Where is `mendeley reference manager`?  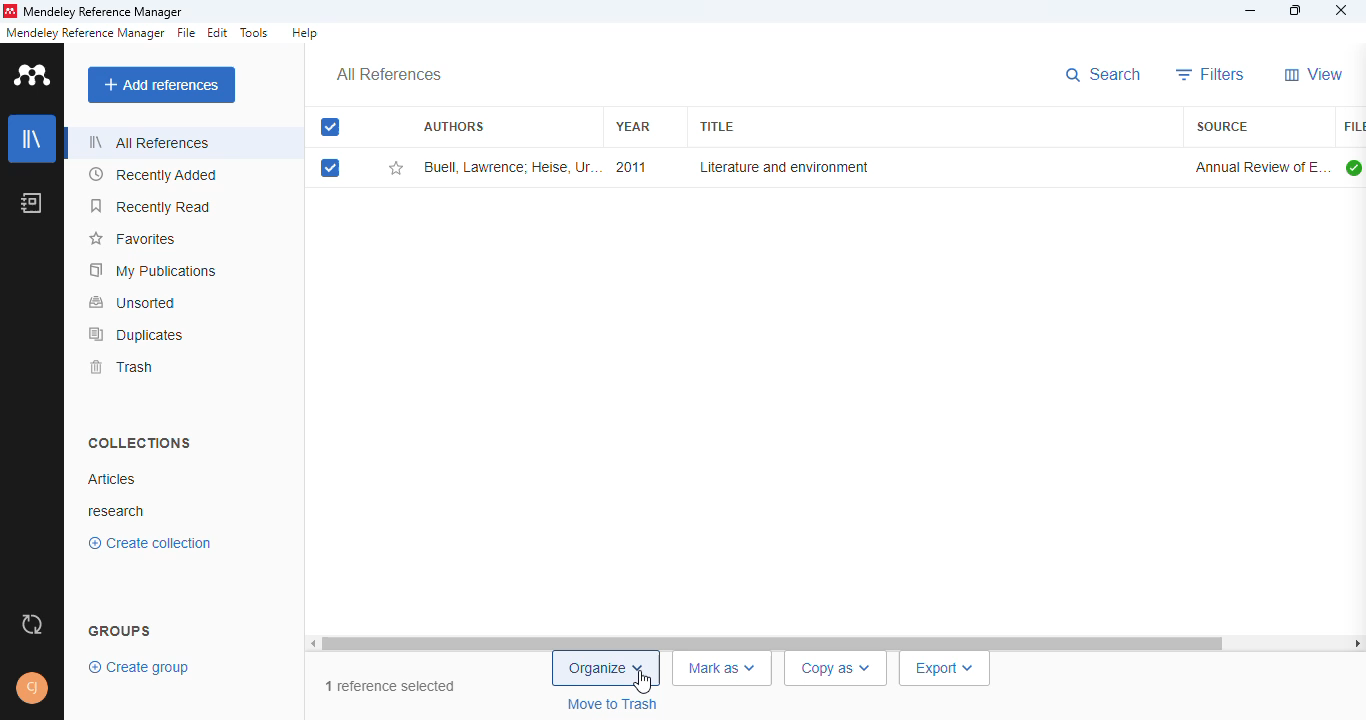 mendeley reference manager is located at coordinates (104, 12).